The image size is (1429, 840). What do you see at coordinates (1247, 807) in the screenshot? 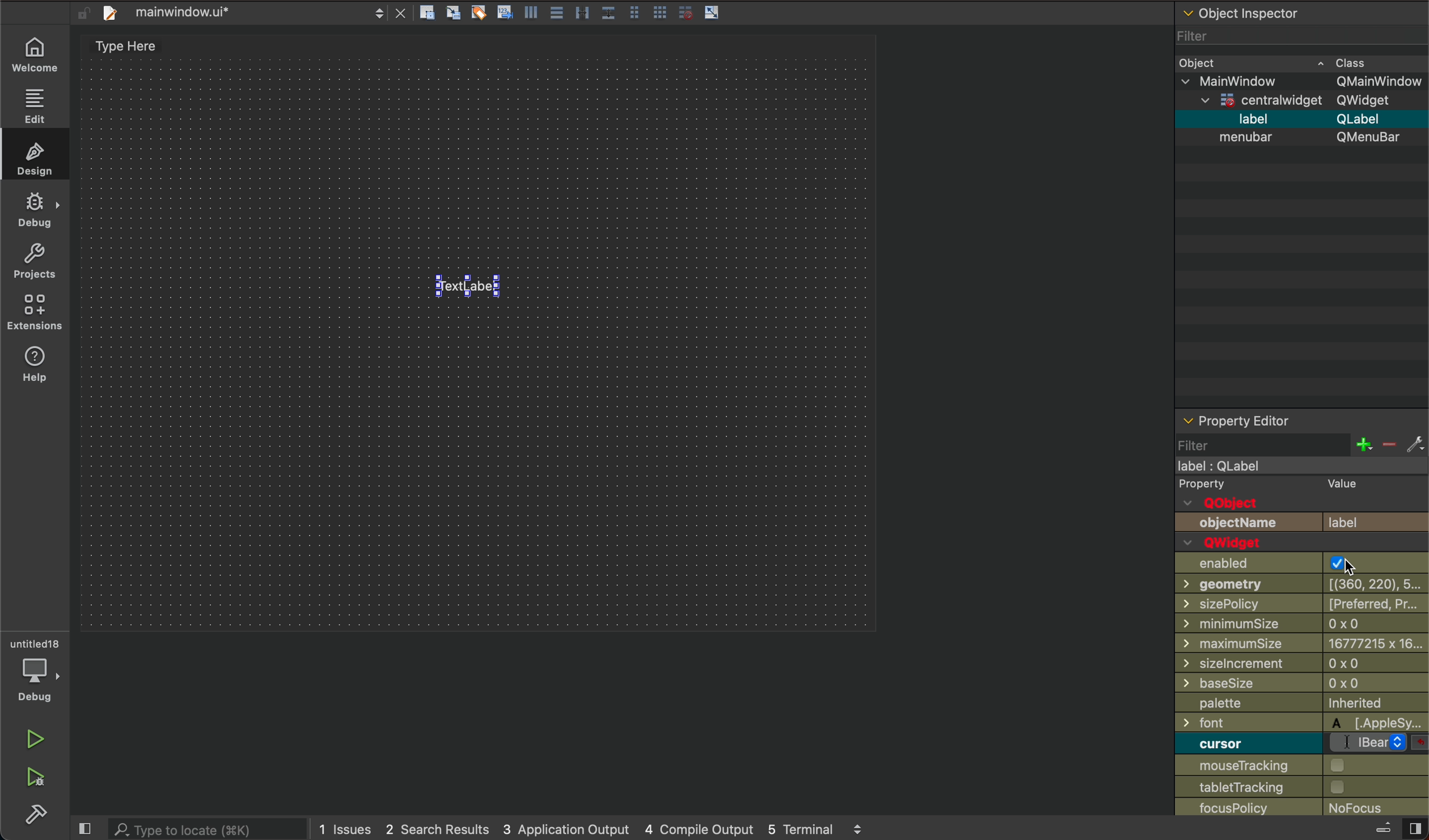
I see `focusPolicy` at bounding box center [1247, 807].